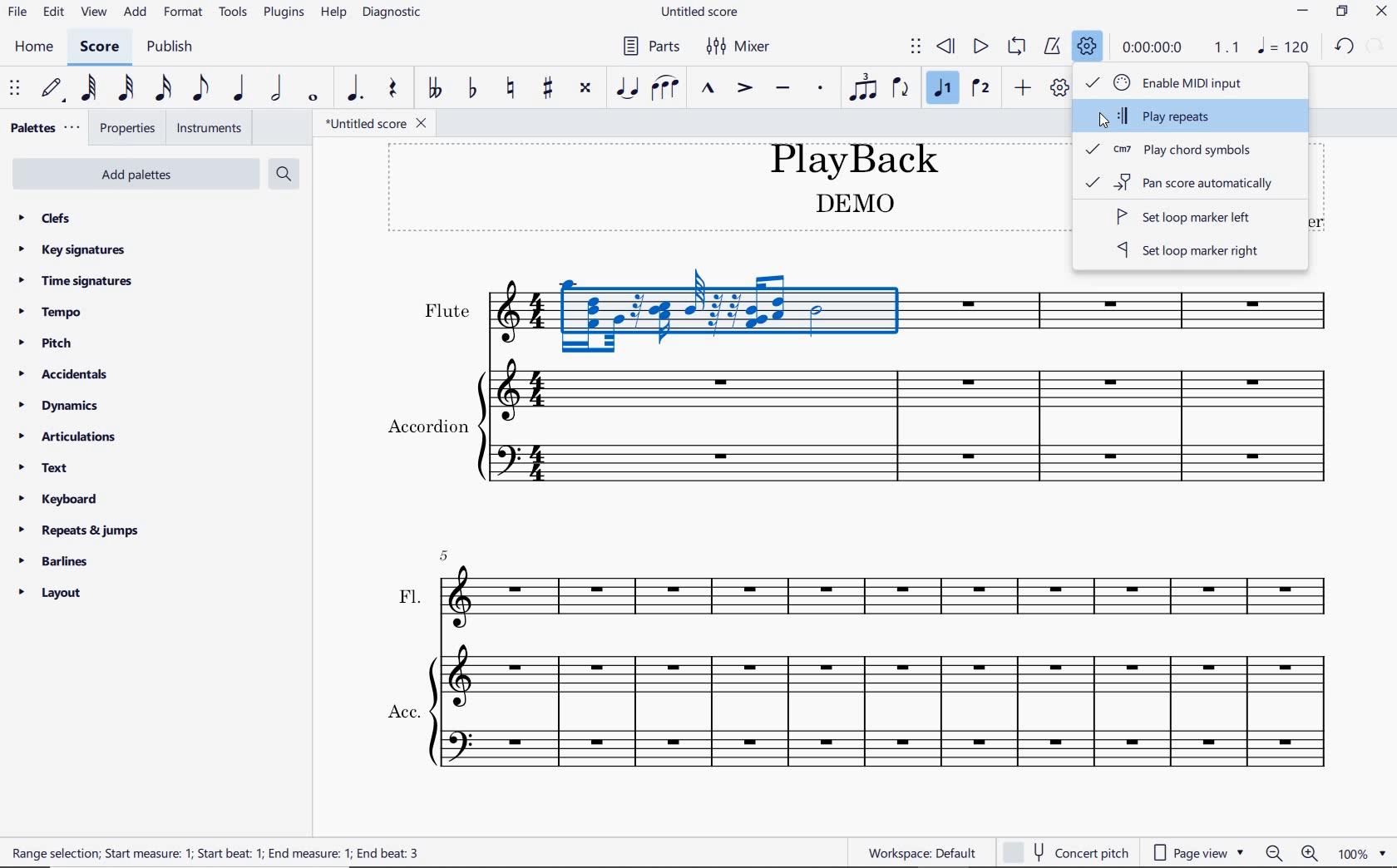  Describe the element at coordinates (1023, 87) in the screenshot. I see `add` at that location.